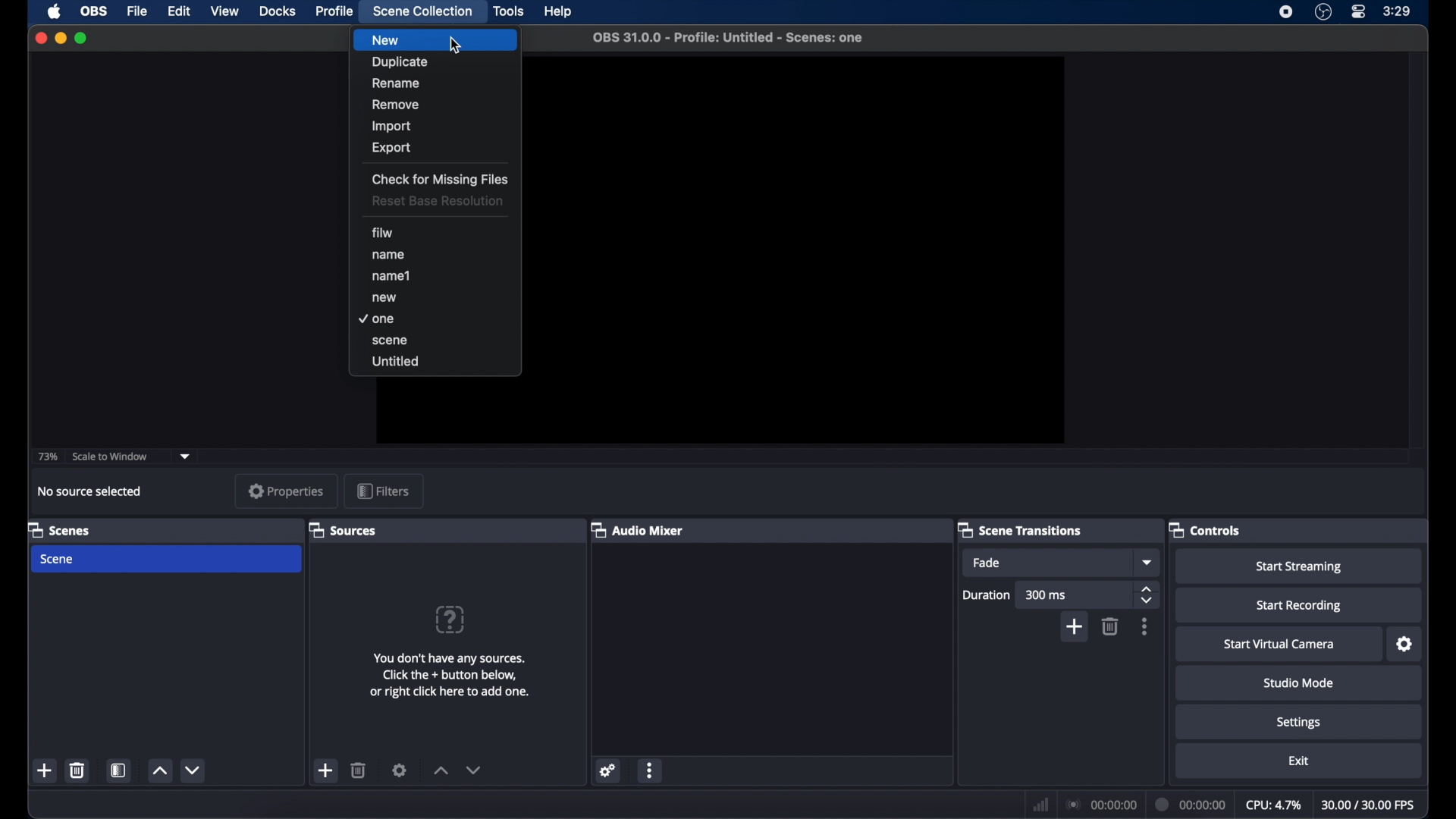 The image size is (1456, 819). I want to click on Reset Base Resolution, so click(440, 203).